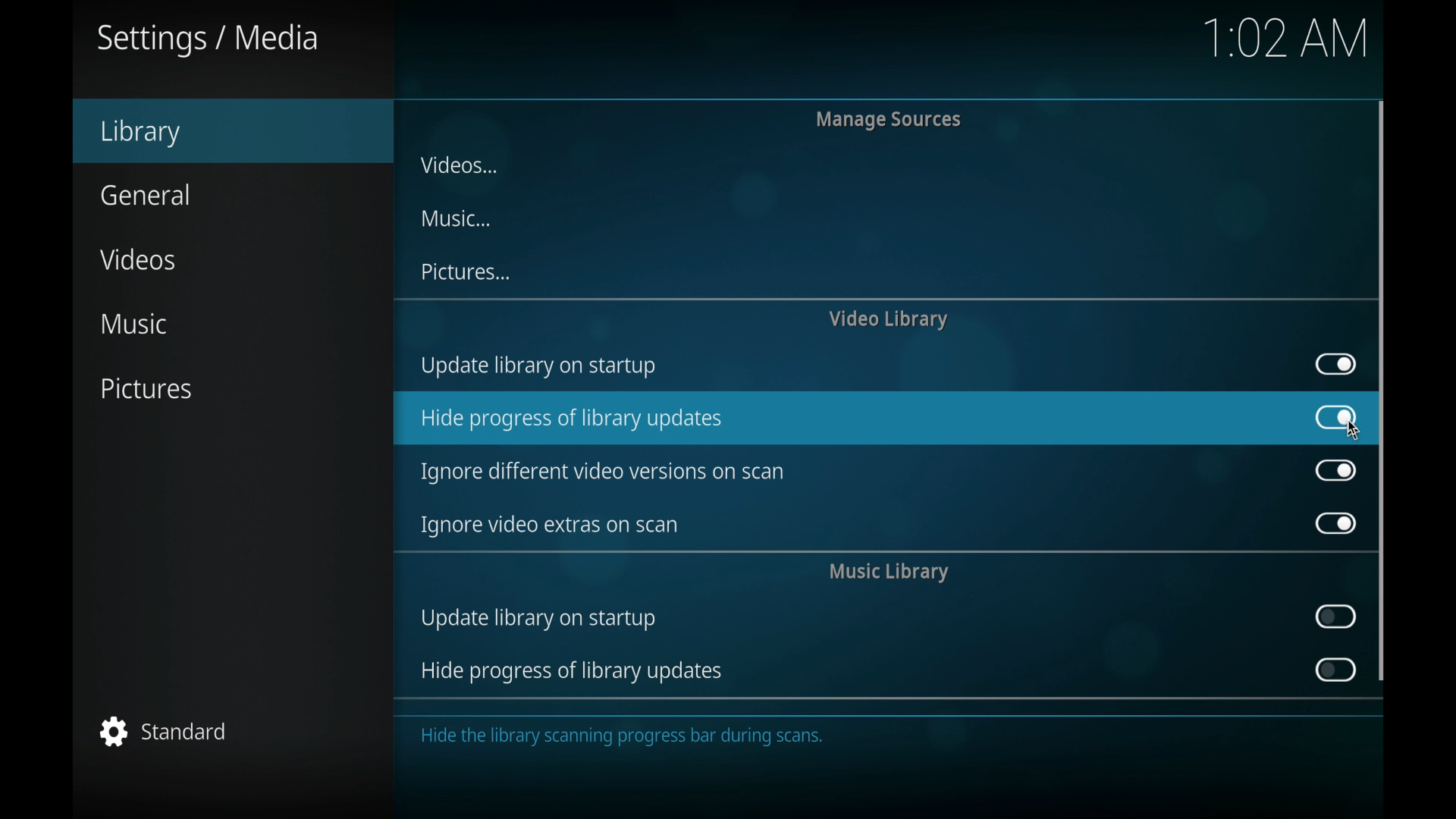 The width and height of the screenshot is (1456, 819). I want to click on ignore different video versions on scan, so click(601, 472).